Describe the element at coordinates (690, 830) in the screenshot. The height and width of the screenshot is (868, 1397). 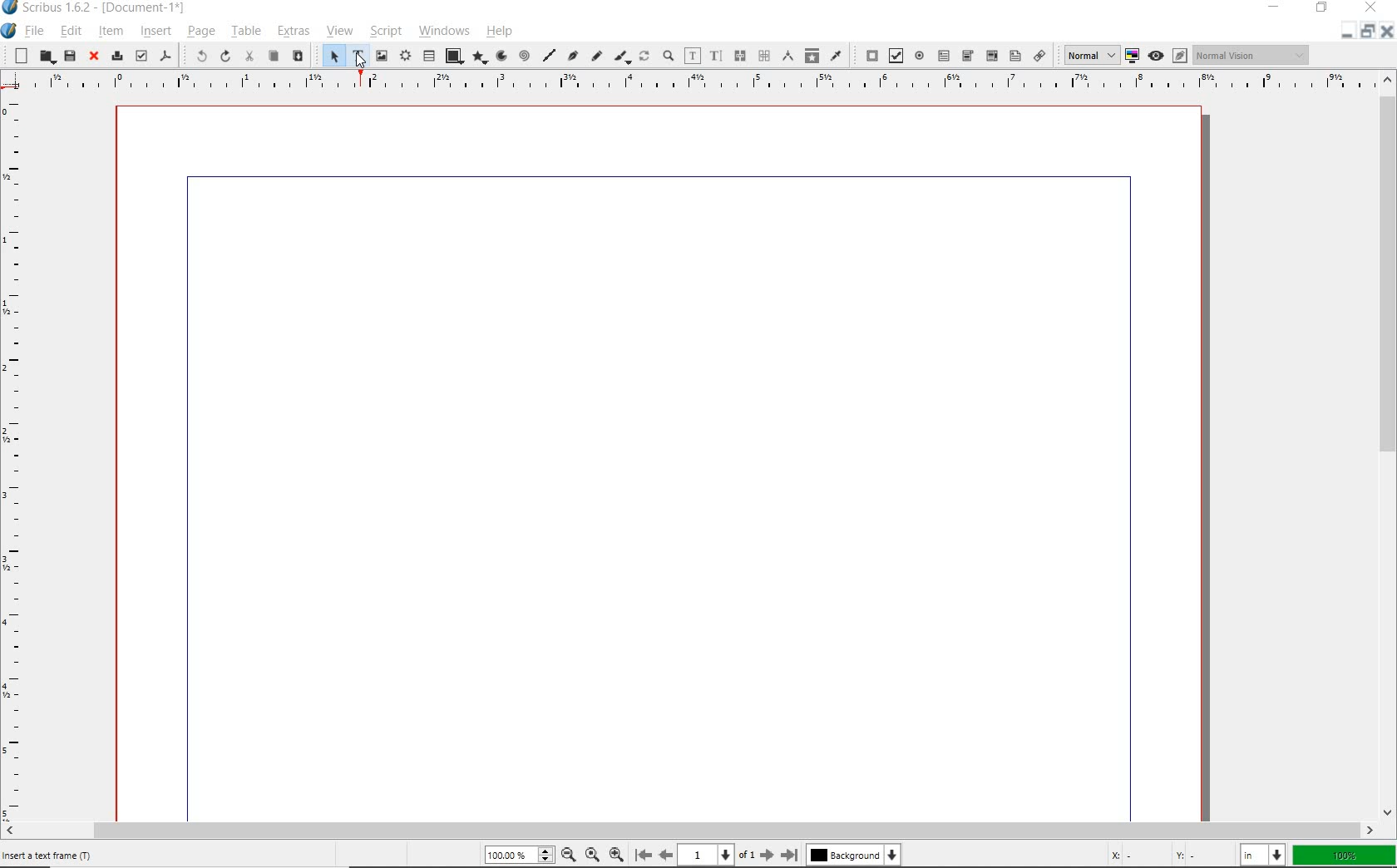
I see `scrollbar` at that location.